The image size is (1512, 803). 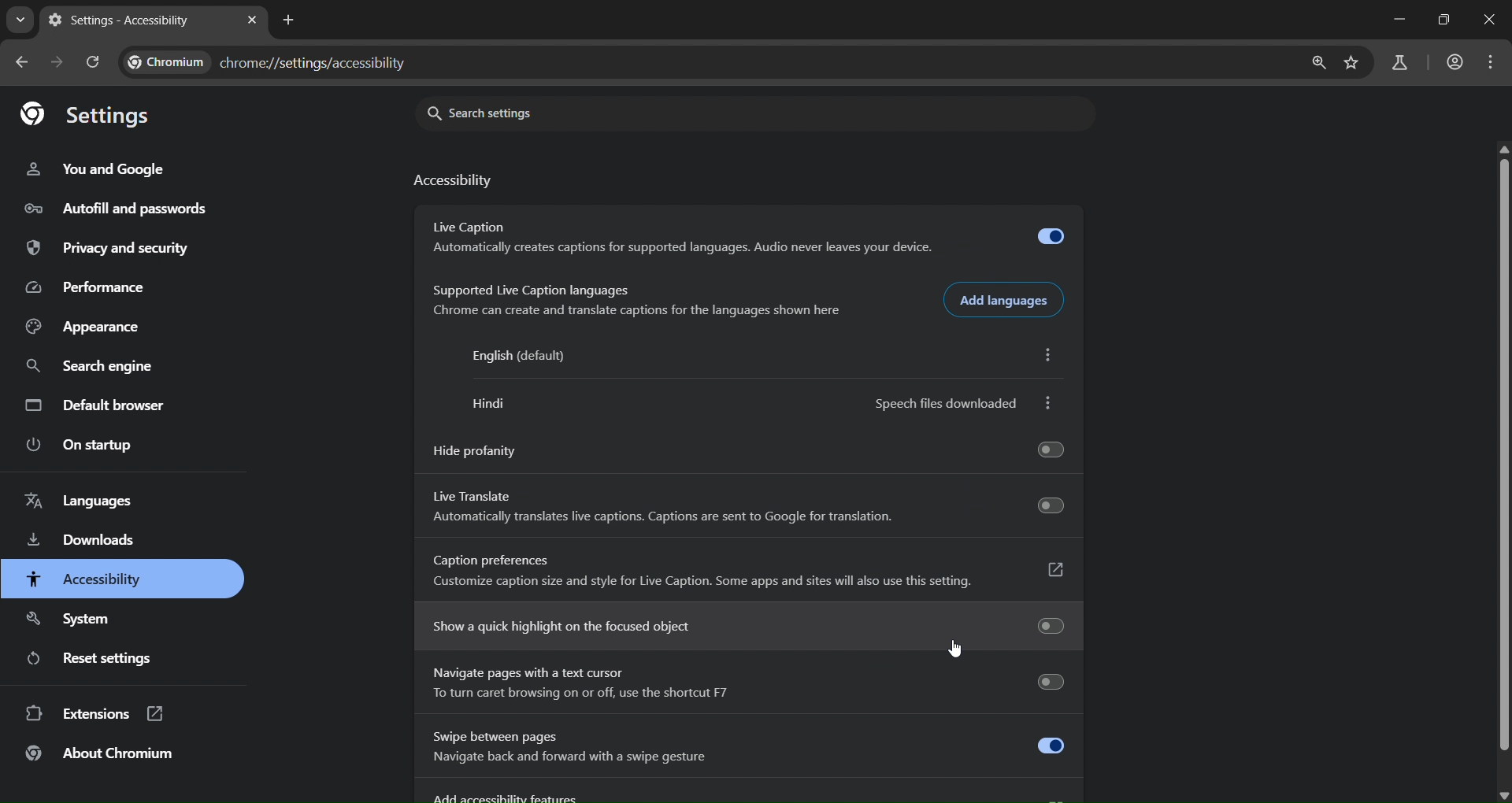 What do you see at coordinates (60, 63) in the screenshot?
I see `go forward one page` at bounding box center [60, 63].